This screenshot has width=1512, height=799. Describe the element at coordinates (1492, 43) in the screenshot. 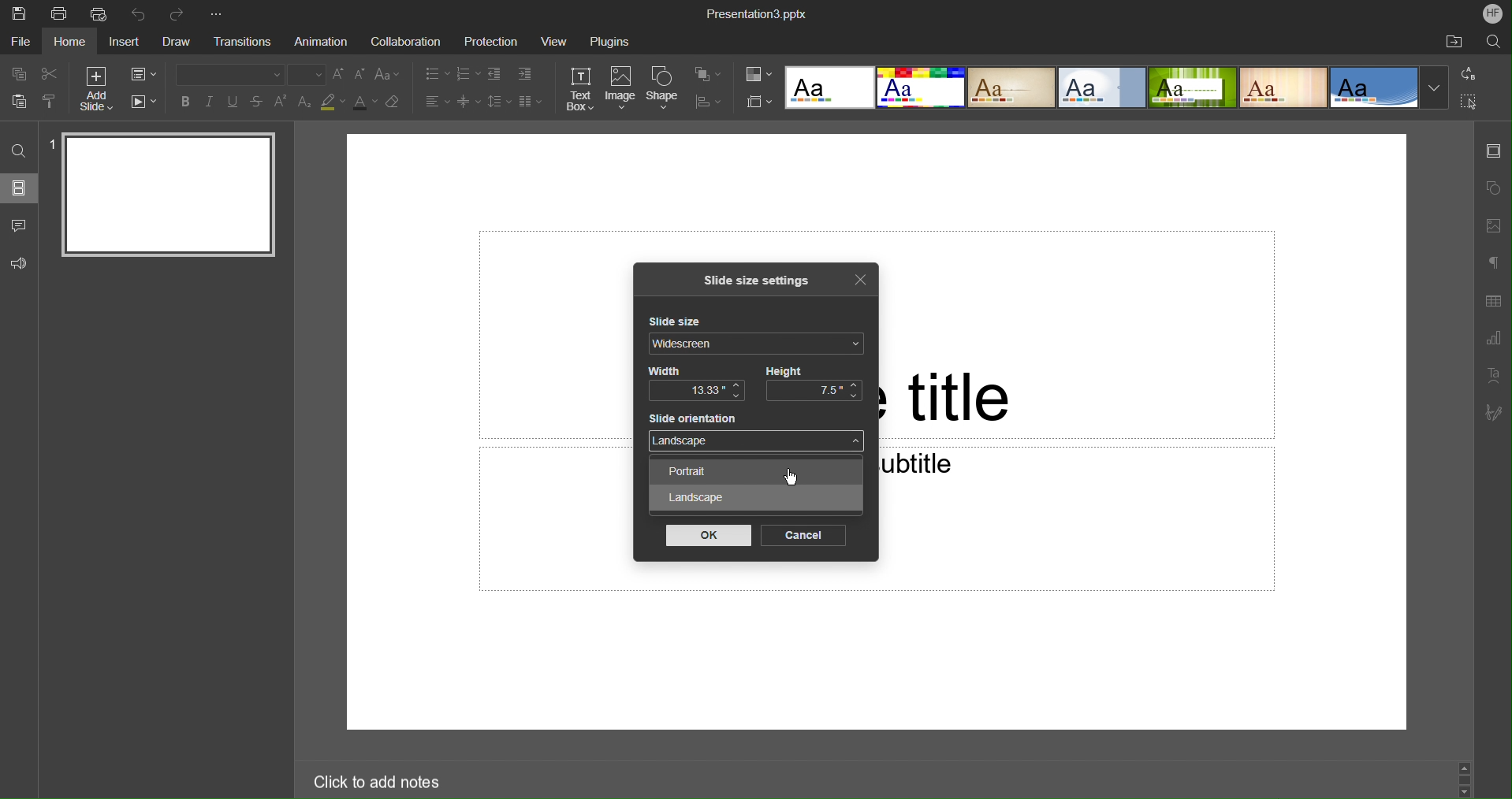

I see `Search` at that location.